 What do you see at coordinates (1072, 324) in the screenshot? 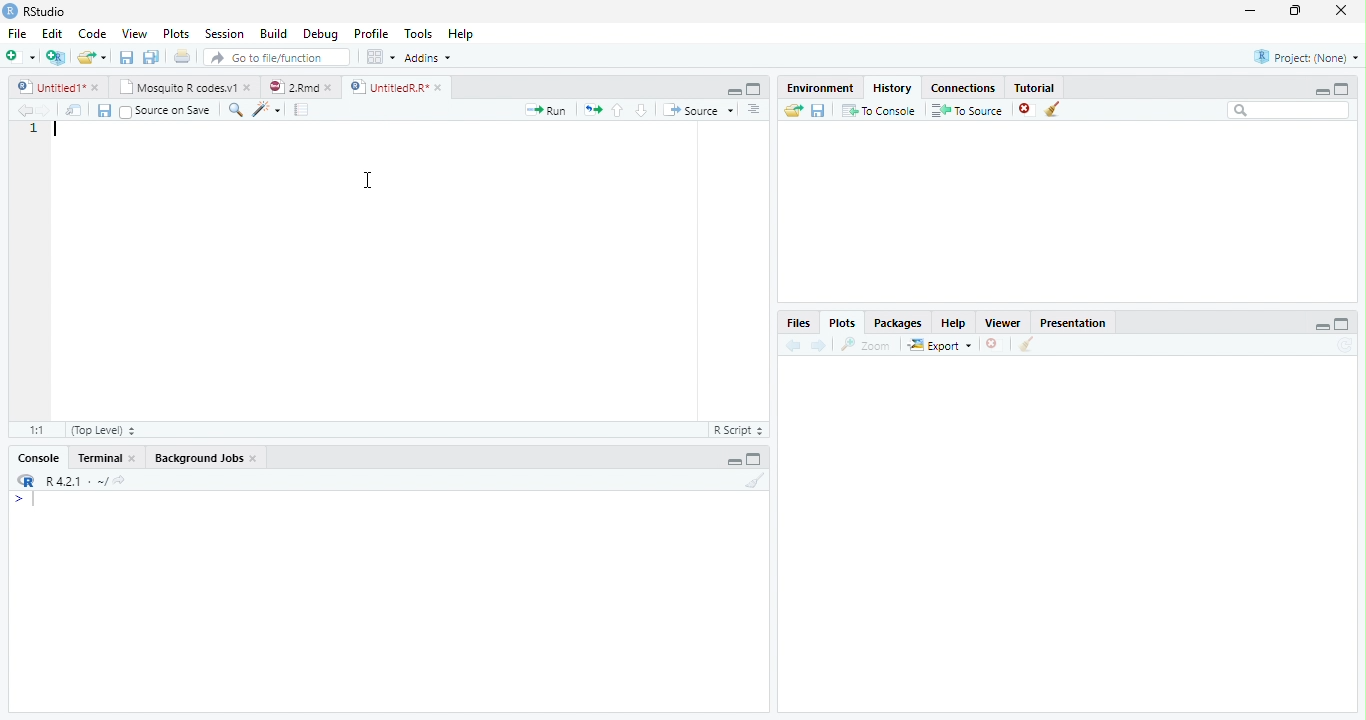
I see `Presentatior` at bounding box center [1072, 324].